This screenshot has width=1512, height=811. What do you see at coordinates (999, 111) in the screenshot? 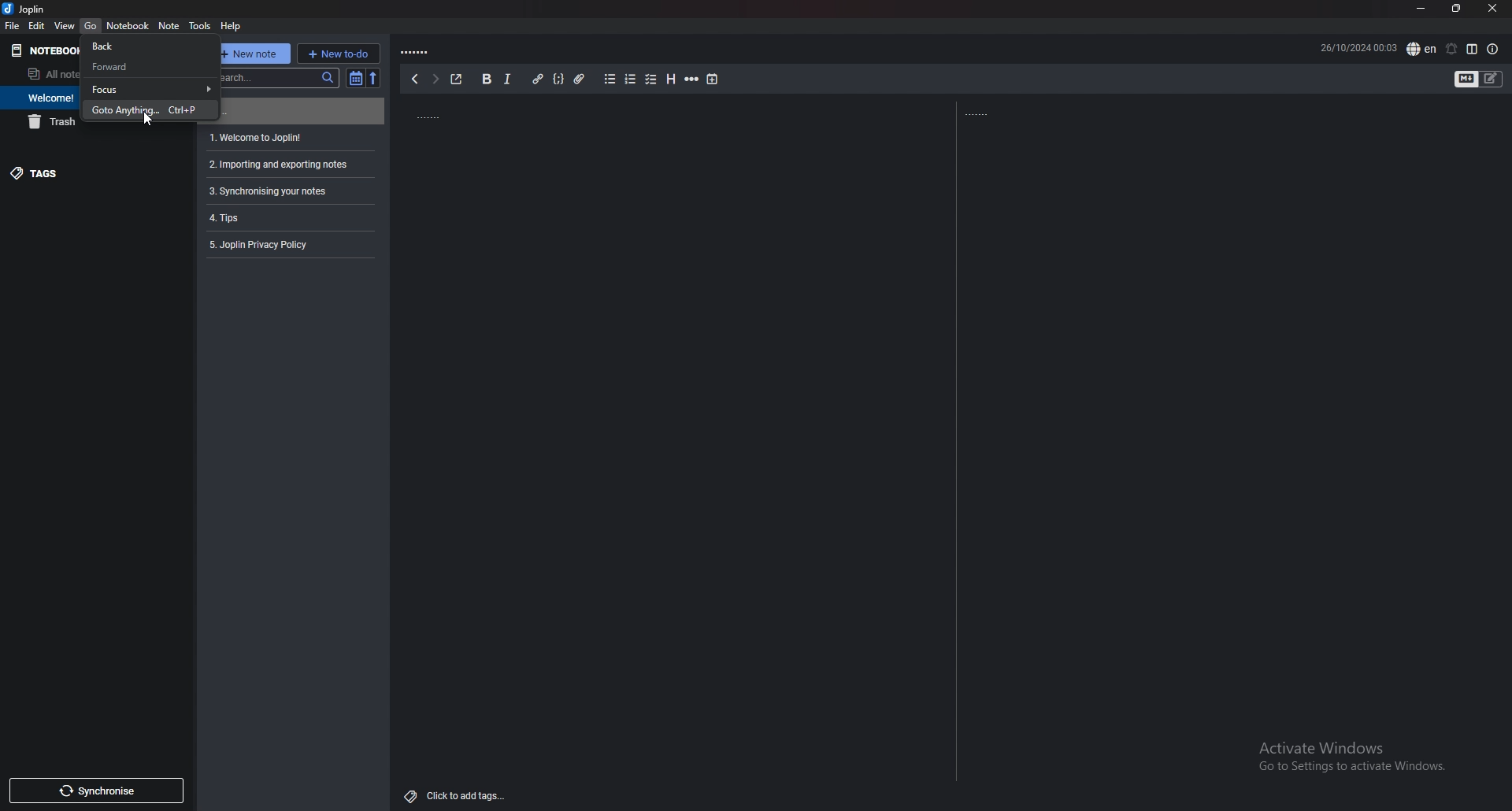
I see `note text` at bounding box center [999, 111].